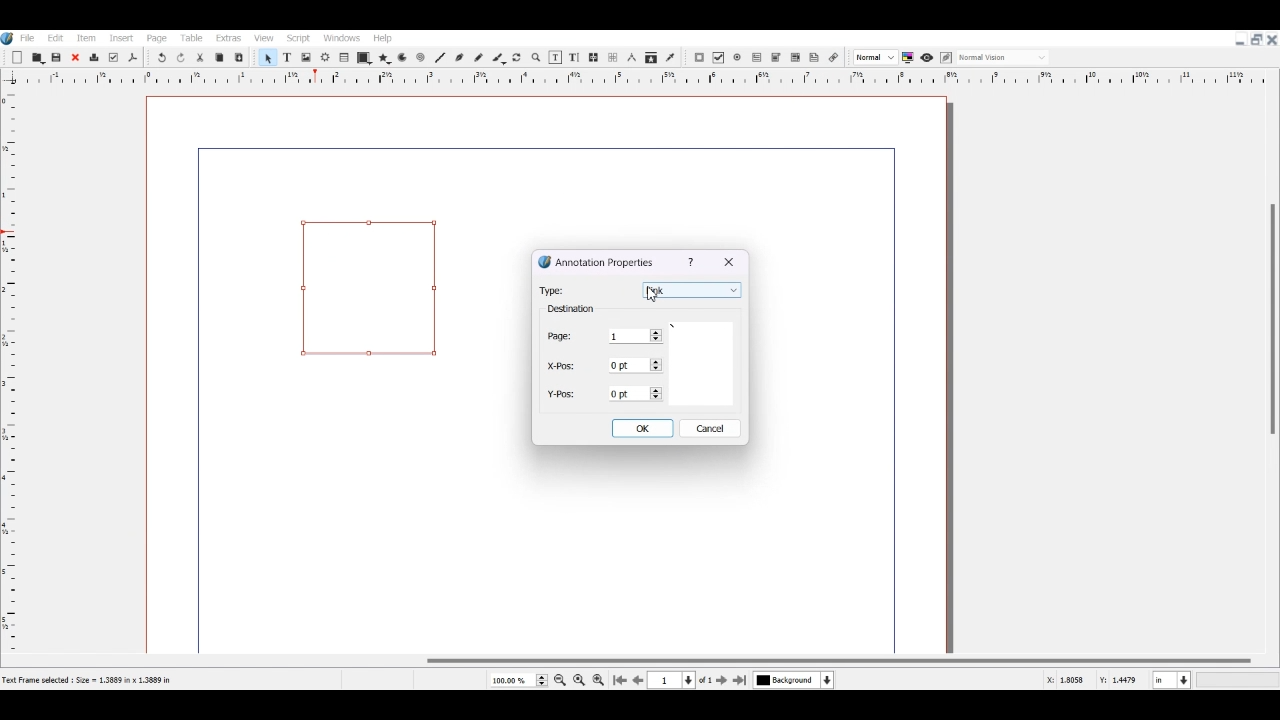 The image size is (1280, 720). What do you see at coordinates (561, 680) in the screenshot?
I see `Zoom out` at bounding box center [561, 680].